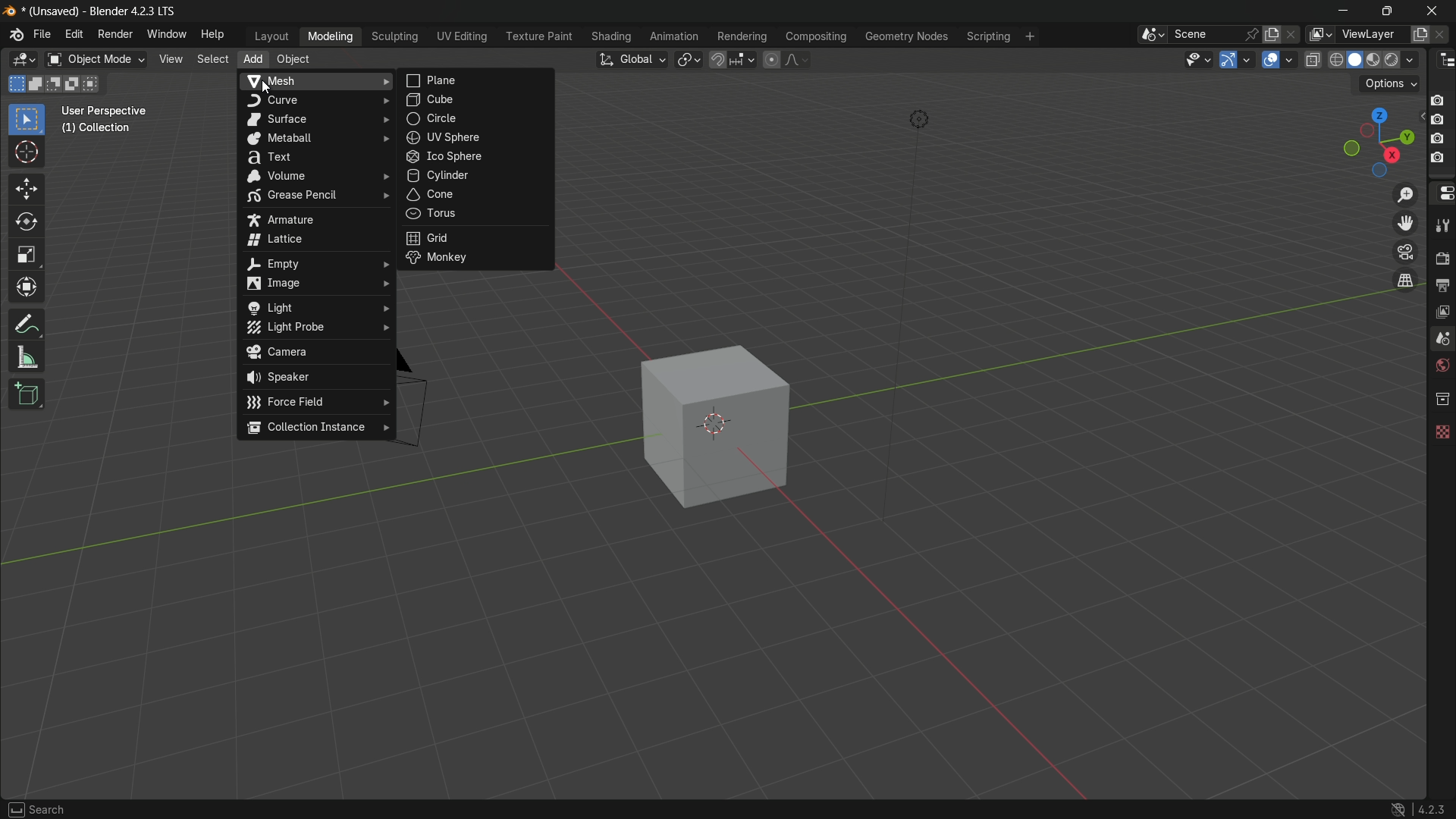 The height and width of the screenshot is (819, 1456). Describe the element at coordinates (27, 155) in the screenshot. I see `cursor` at that location.